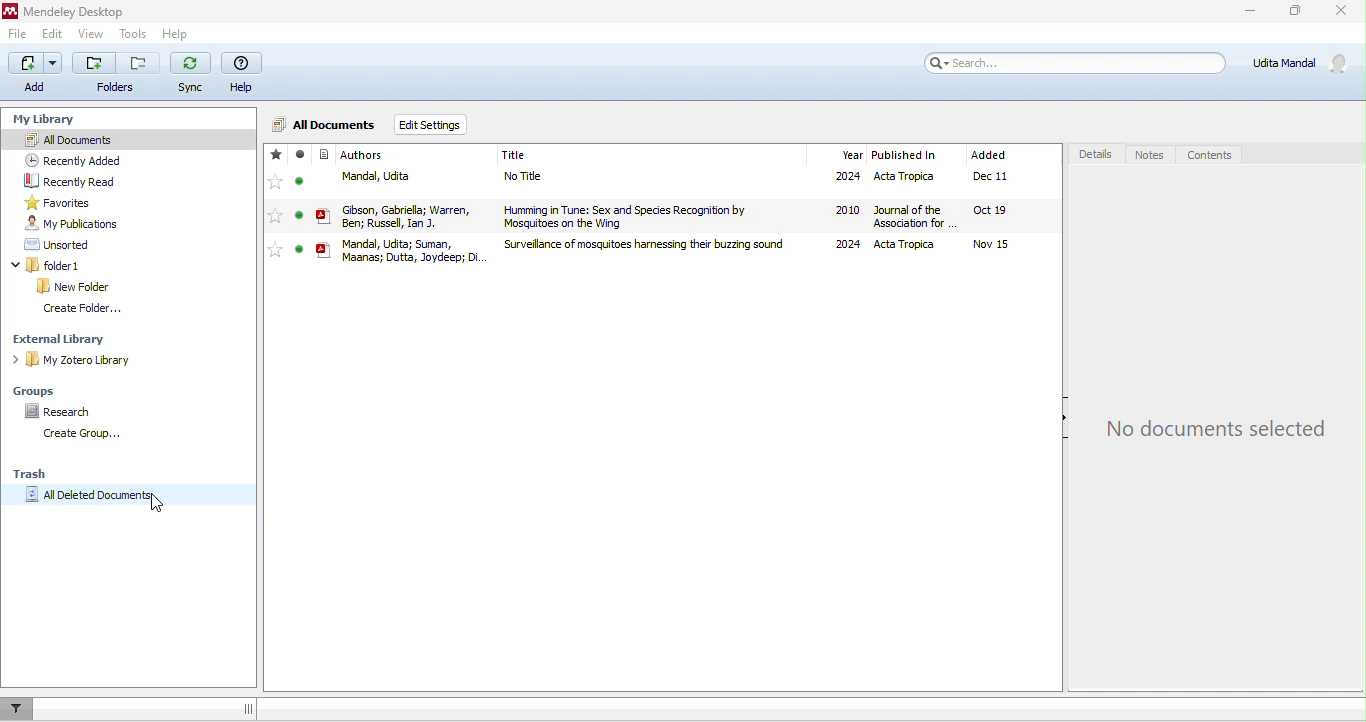 This screenshot has width=1366, height=722. What do you see at coordinates (994, 149) in the screenshot?
I see `added` at bounding box center [994, 149].